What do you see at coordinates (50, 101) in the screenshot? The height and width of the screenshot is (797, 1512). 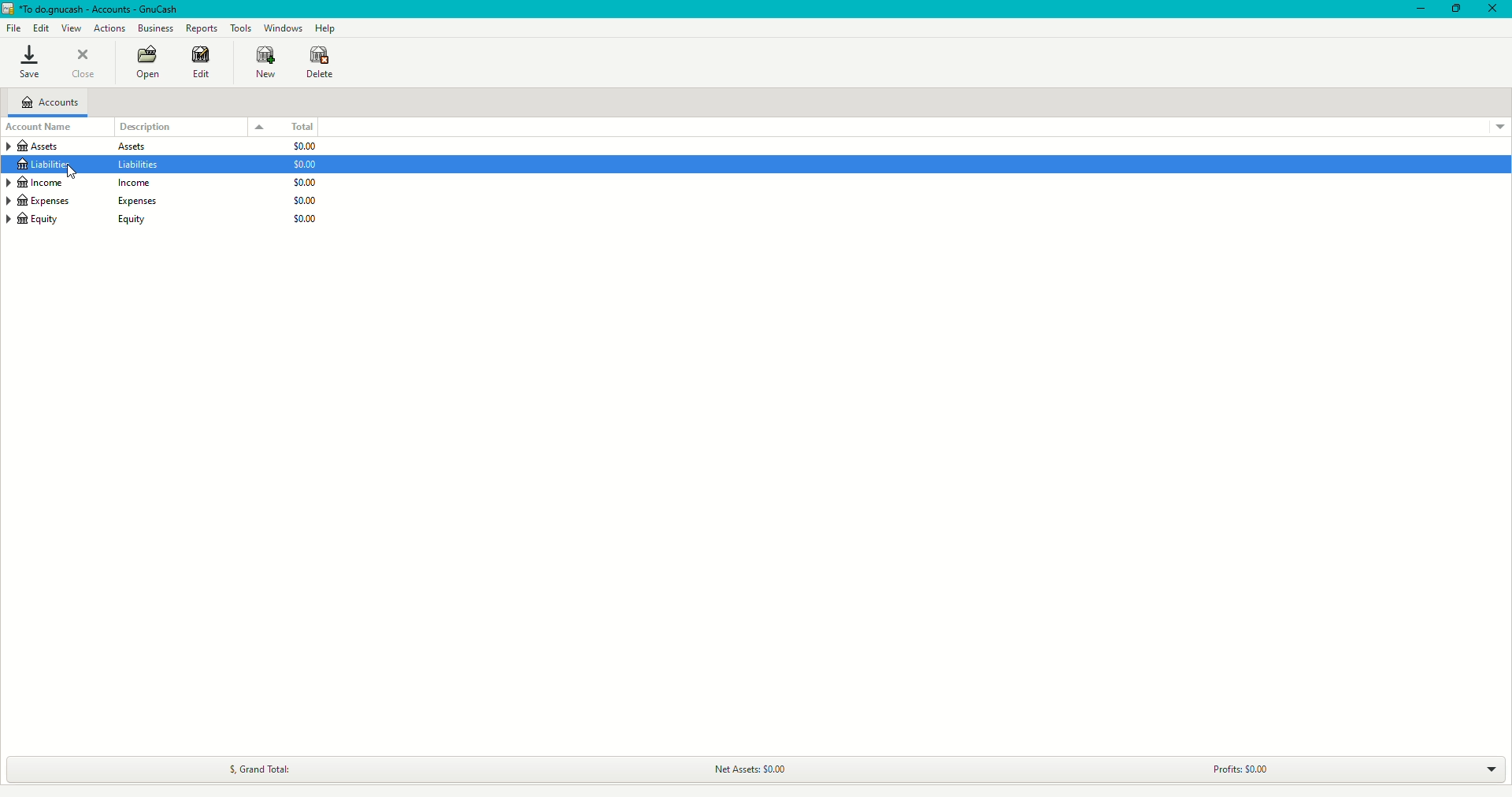 I see `Accounts` at bounding box center [50, 101].